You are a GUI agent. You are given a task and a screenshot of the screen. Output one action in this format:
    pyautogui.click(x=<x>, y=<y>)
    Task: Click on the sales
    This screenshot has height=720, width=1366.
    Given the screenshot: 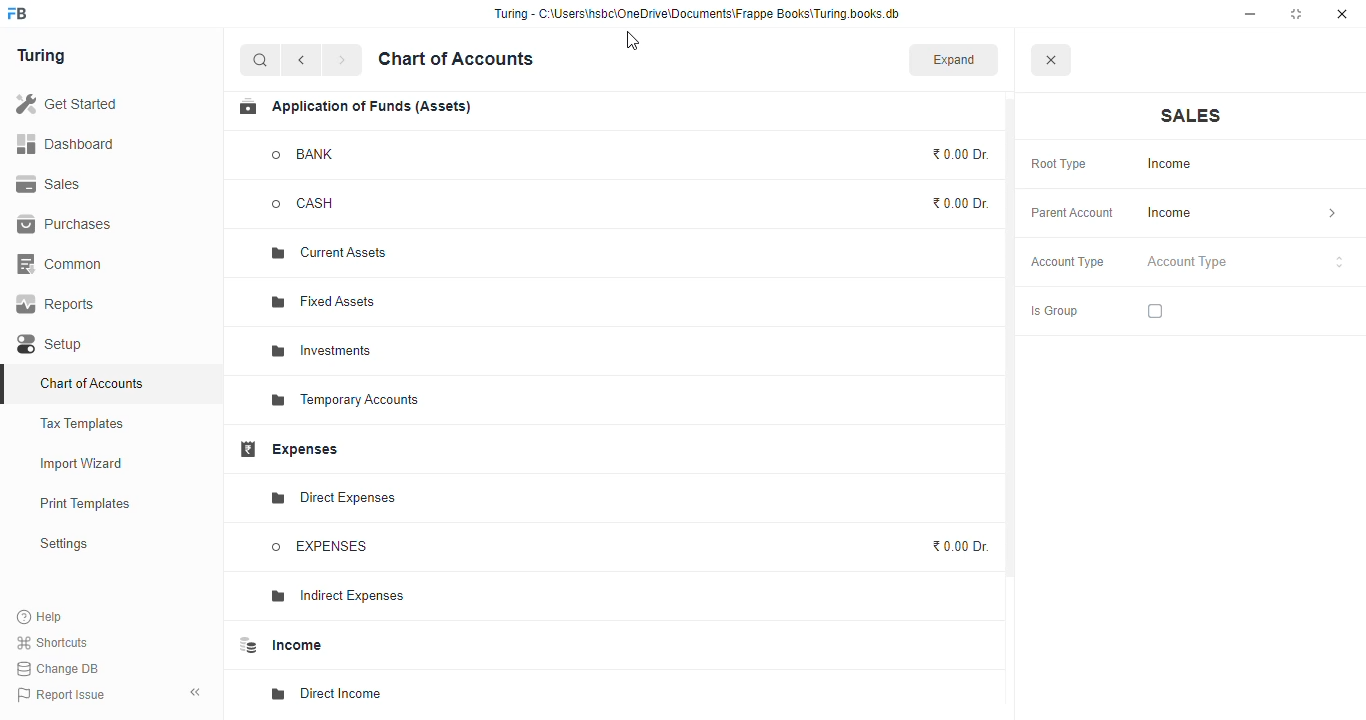 What is the action you would take?
    pyautogui.click(x=49, y=184)
    